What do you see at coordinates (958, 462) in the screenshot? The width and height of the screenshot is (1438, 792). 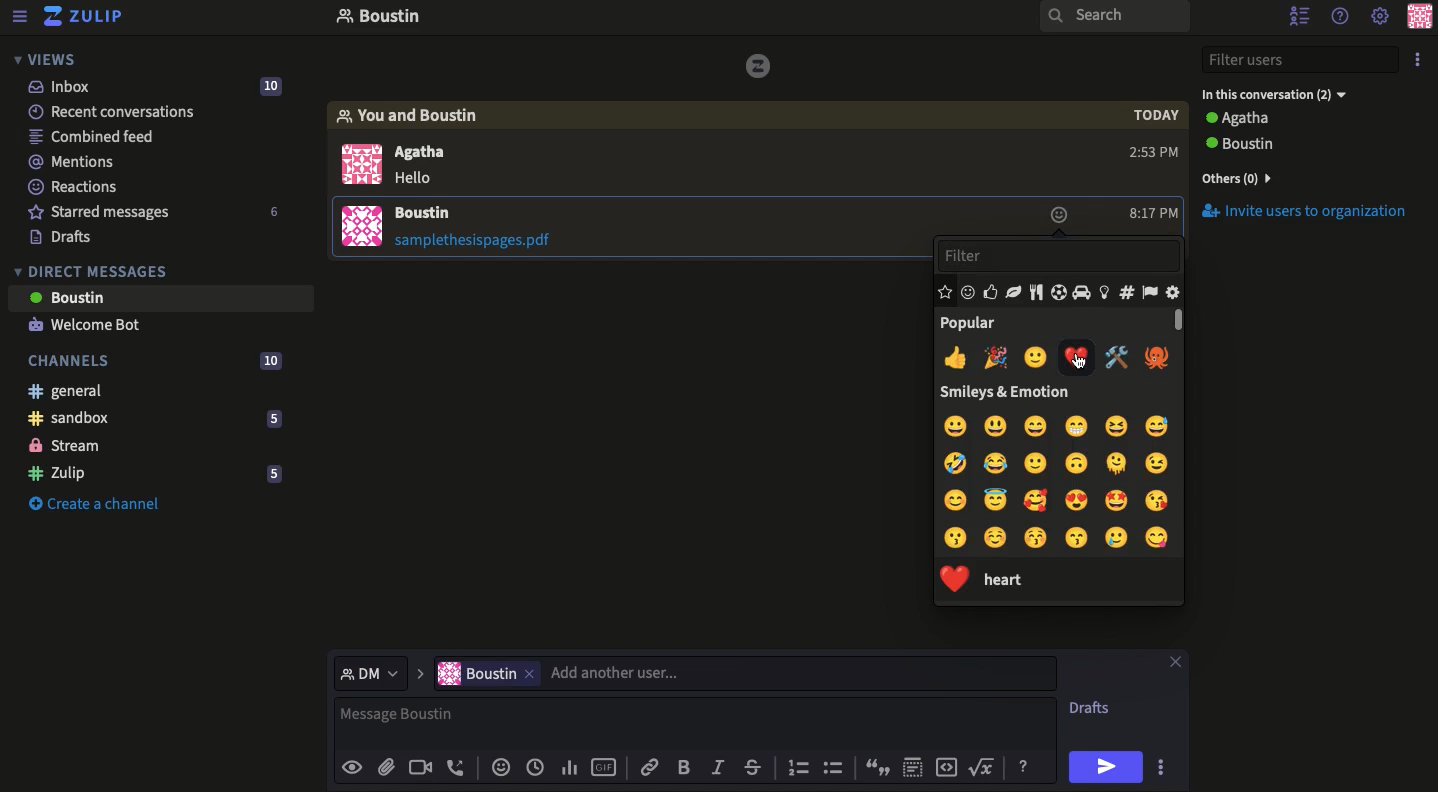 I see `ROFL` at bounding box center [958, 462].